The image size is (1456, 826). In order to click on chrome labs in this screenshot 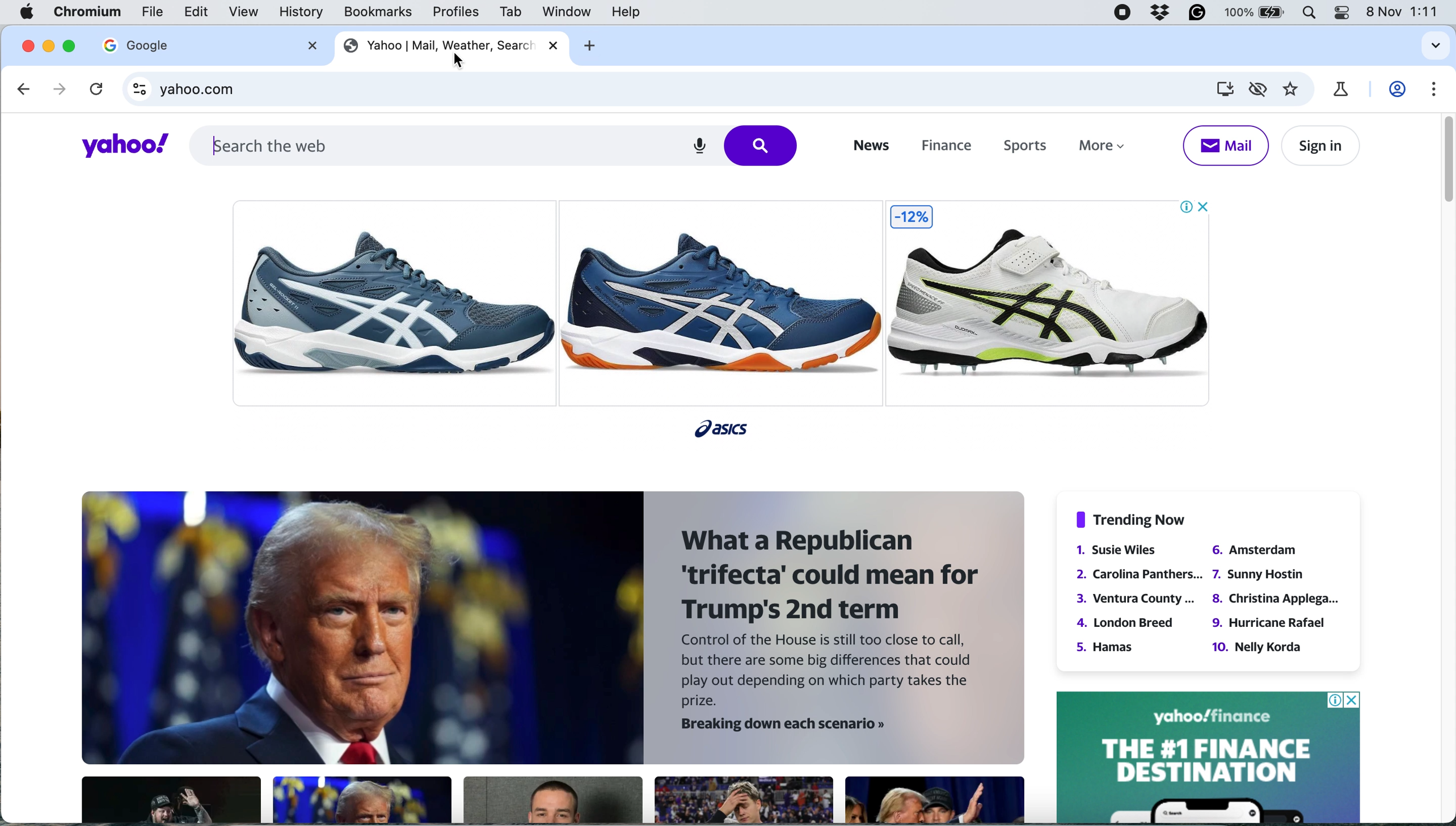, I will do `click(1340, 89)`.